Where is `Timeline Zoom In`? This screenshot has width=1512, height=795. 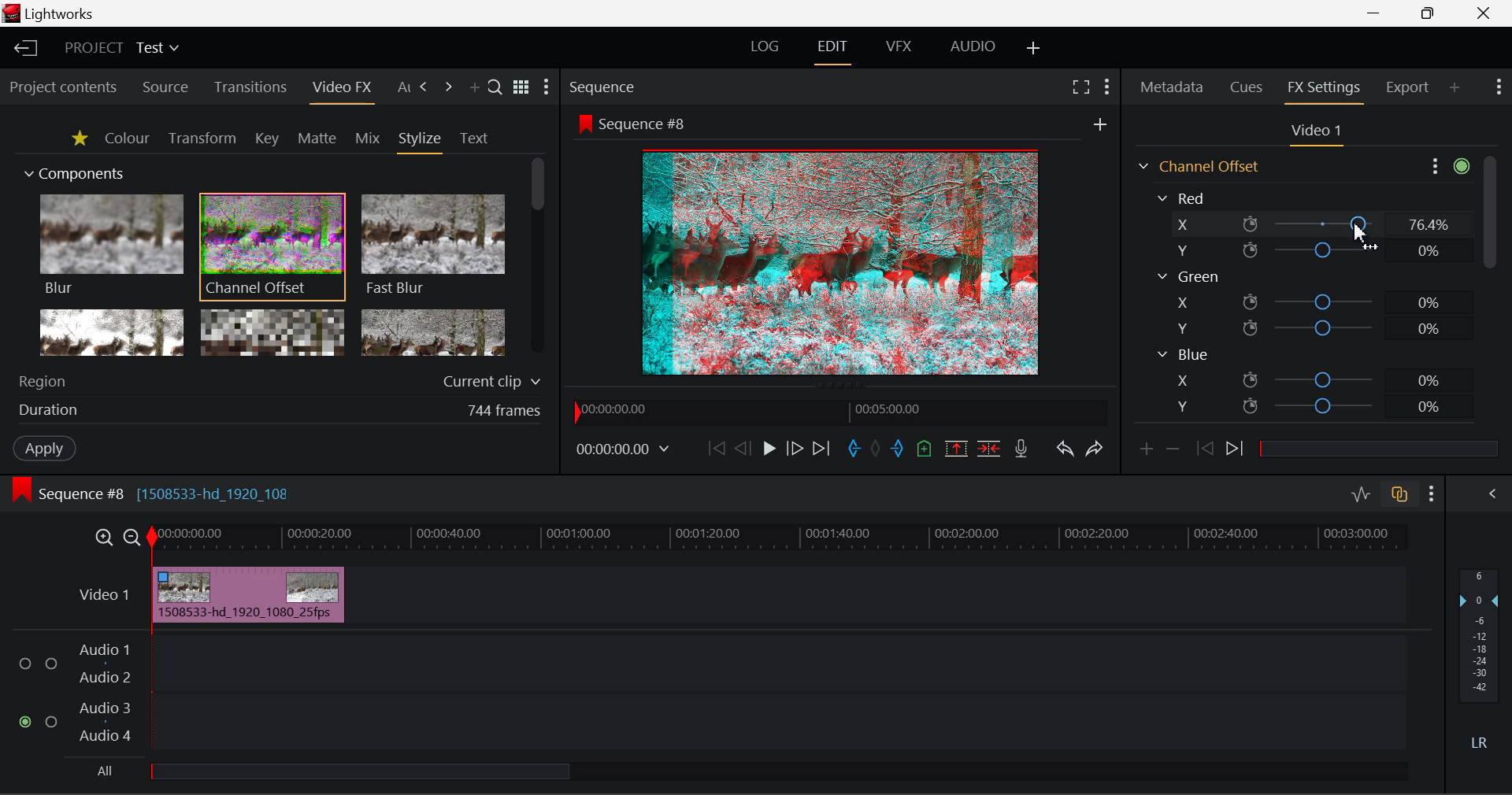
Timeline Zoom In is located at coordinates (103, 539).